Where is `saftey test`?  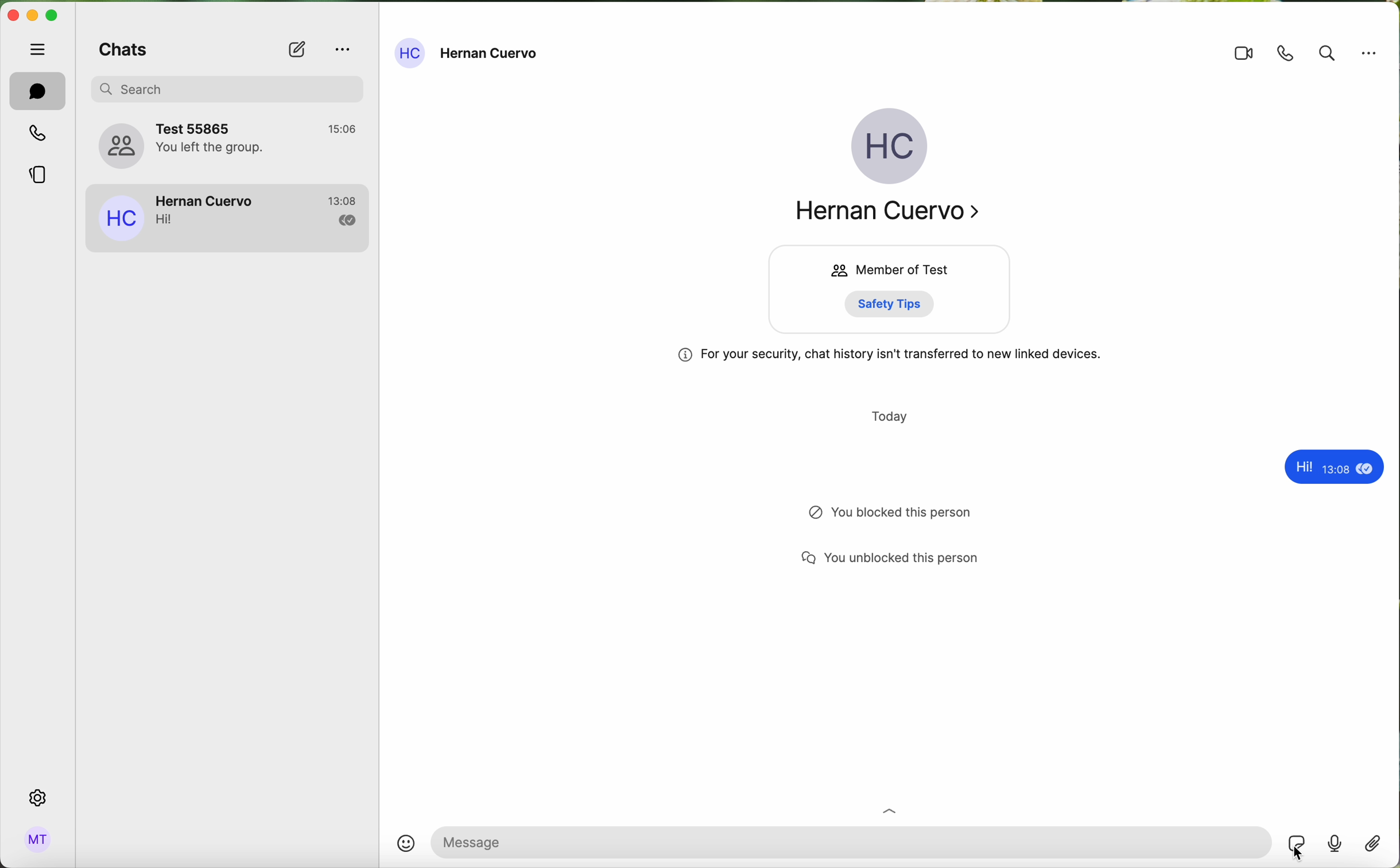 saftey test is located at coordinates (895, 304).